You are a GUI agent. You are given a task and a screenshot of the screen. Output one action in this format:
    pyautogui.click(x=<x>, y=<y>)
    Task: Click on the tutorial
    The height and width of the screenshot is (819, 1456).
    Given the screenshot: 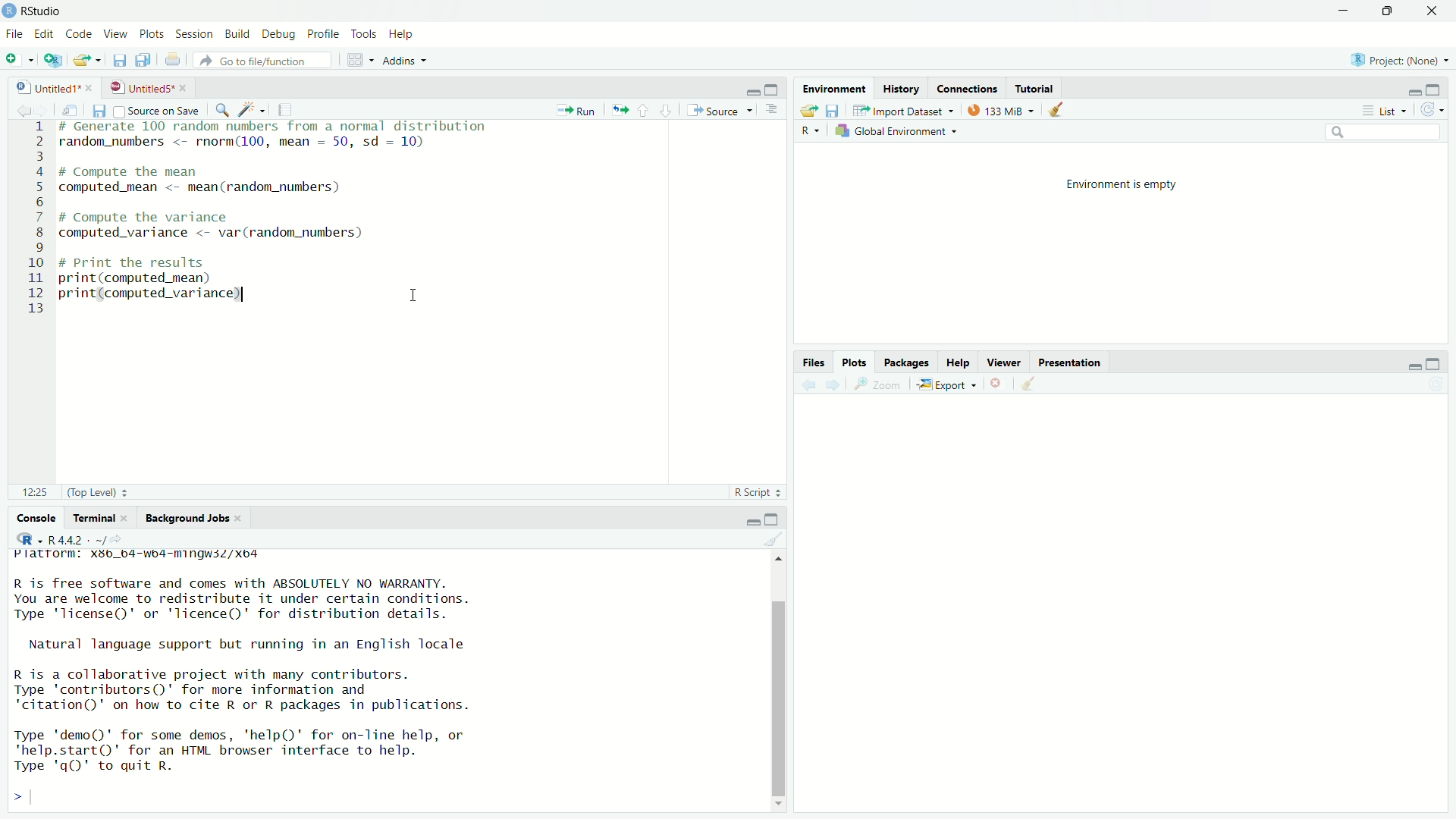 What is the action you would take?
    pyautogui.click(x=1035, y=88)
    